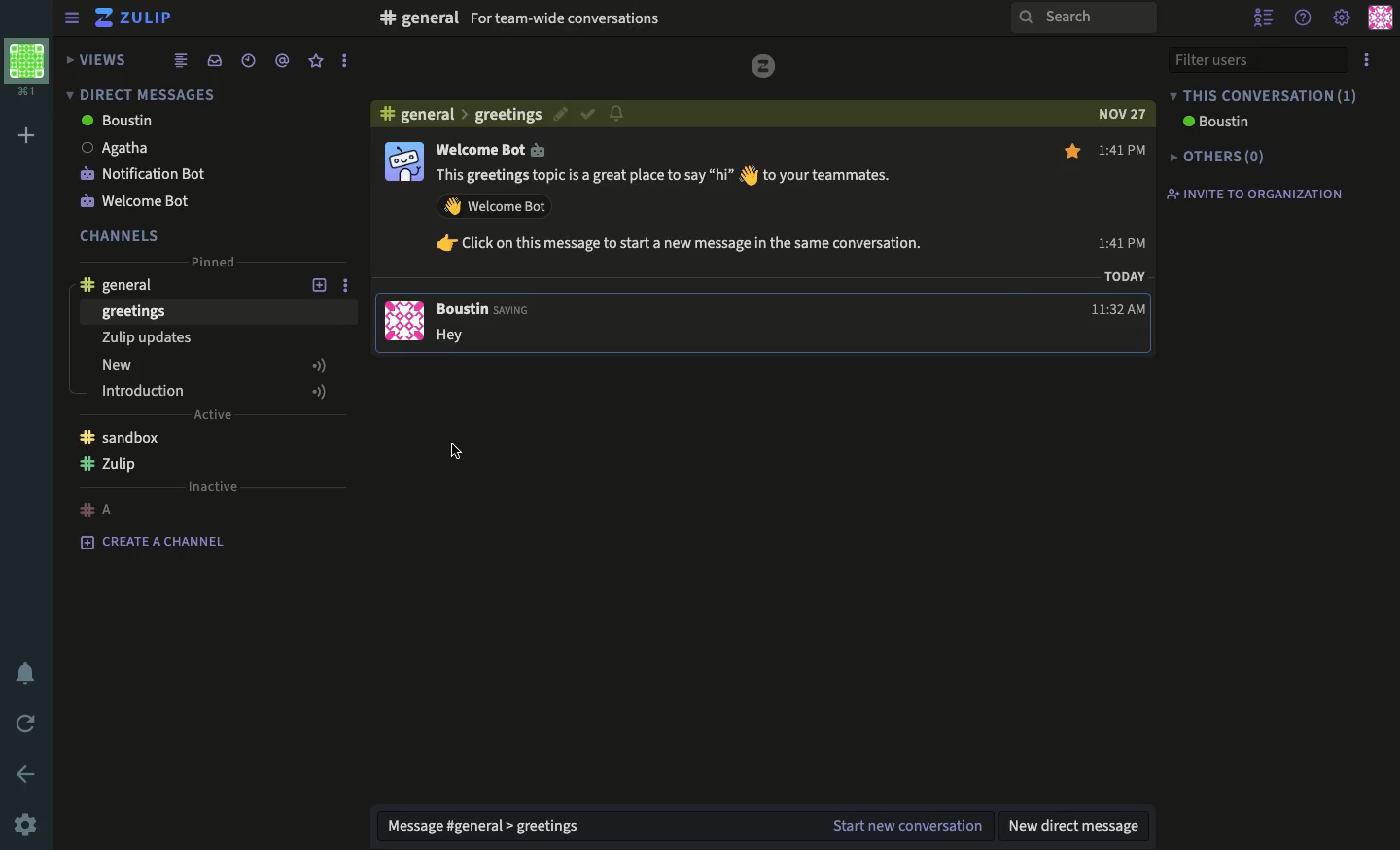 The image size is (1400, 850). I want to click on settings, so click(1343, 19).